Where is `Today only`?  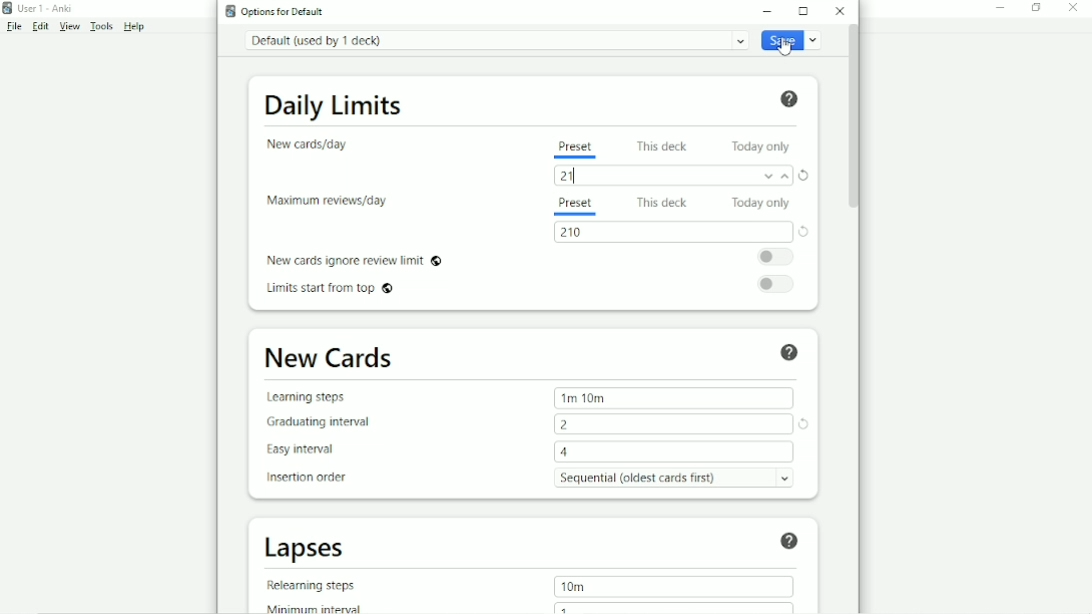 Today only is located at coordinates (760, 147).